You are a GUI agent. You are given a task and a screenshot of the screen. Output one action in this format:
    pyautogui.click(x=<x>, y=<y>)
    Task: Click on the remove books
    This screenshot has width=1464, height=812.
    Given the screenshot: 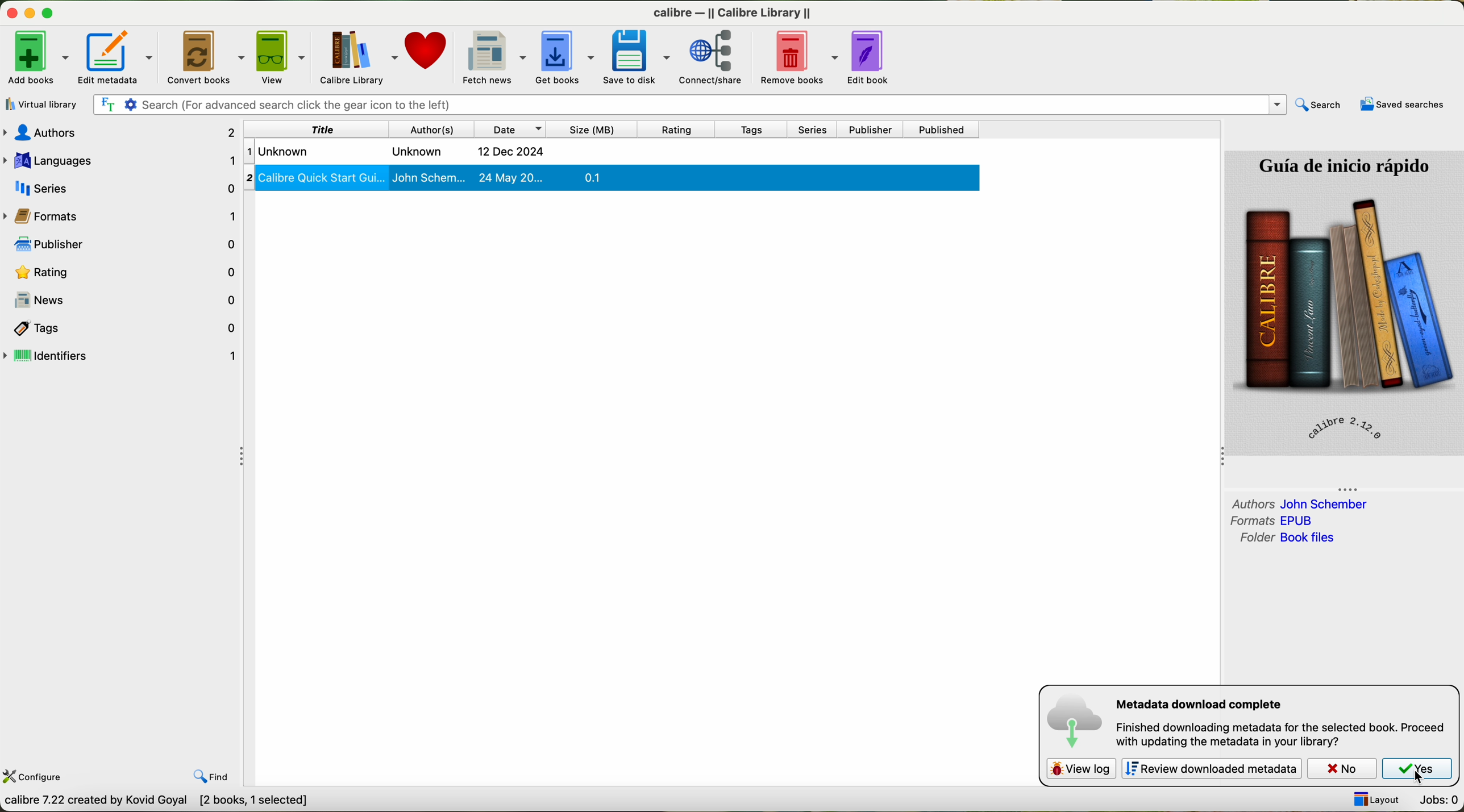 What is the action you would take?
    pyautogui.click(x=795, y=57)
    